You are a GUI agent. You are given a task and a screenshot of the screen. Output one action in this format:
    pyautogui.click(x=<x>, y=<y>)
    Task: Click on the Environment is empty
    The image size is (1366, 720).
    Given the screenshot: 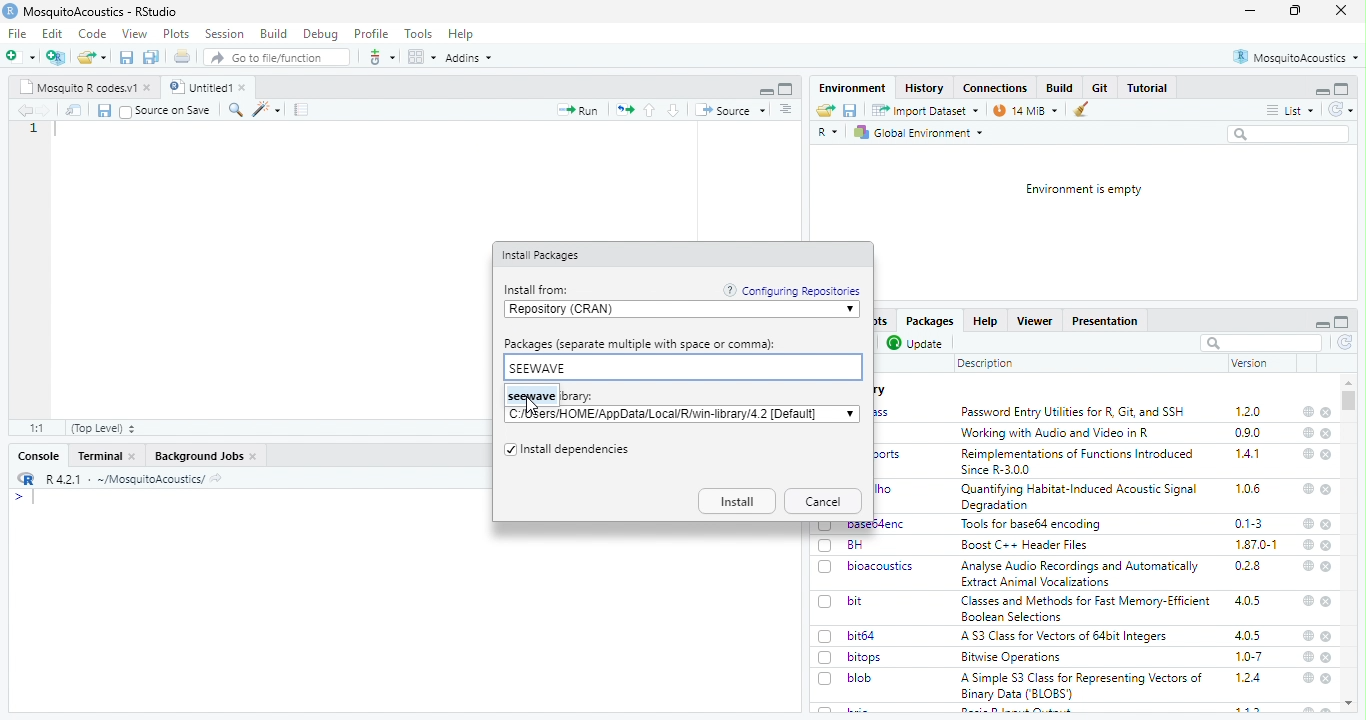 What is the action you would take?
    pyautogui.click(x=1085, y=190)
    